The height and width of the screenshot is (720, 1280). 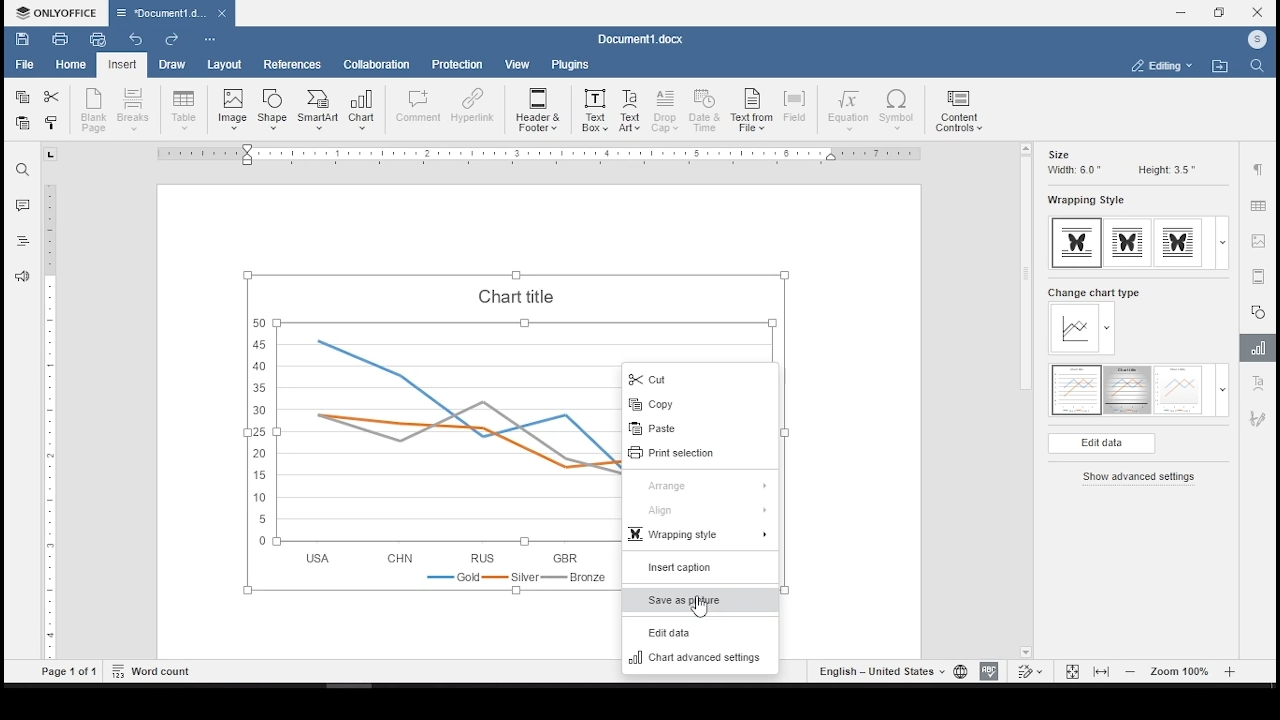 I want to click on set text language, so click(x=880, y=671).